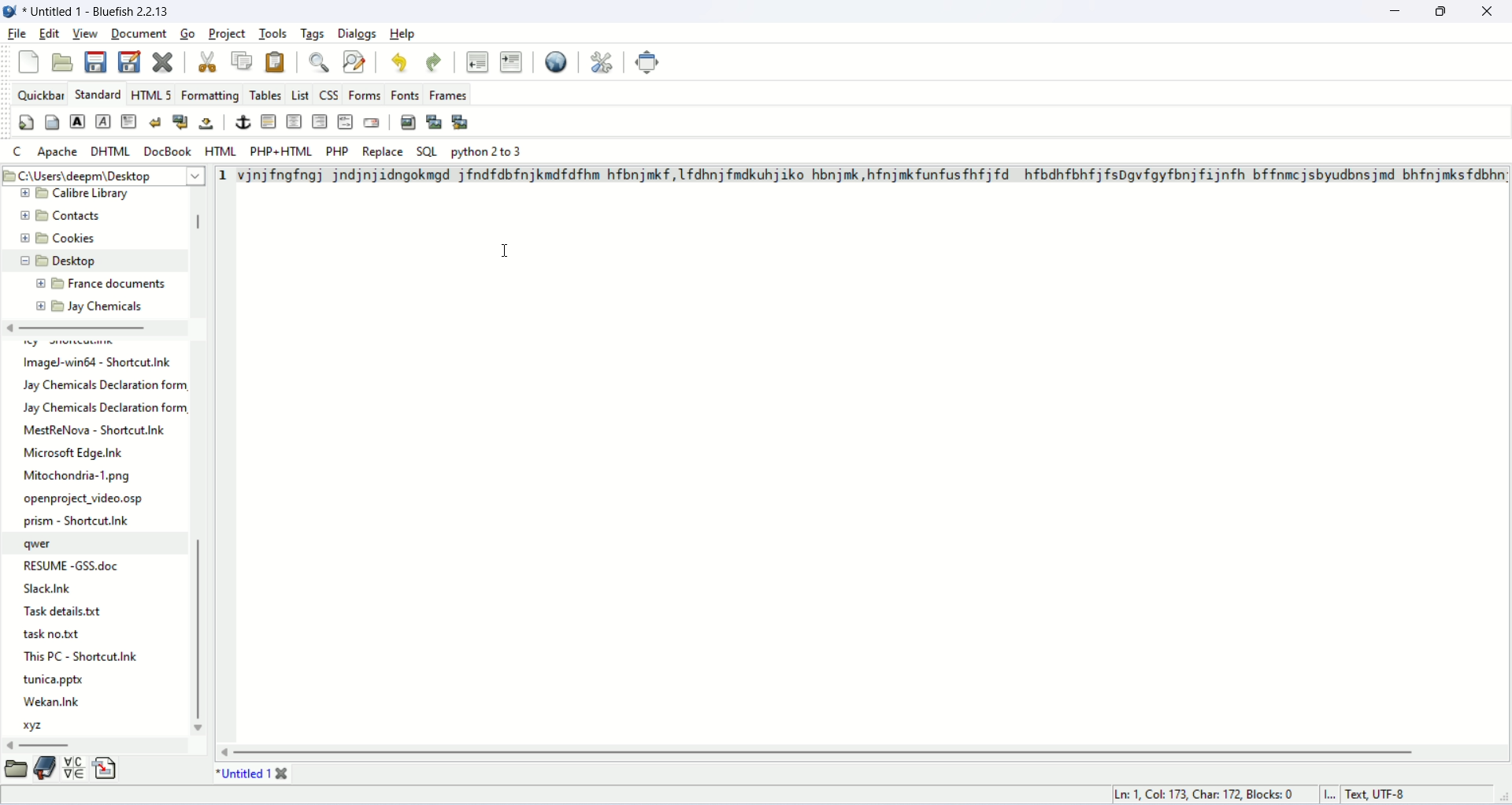 The width and height of the screenshot is (1512, 805). I want to click on insert image, so click(406, 121).